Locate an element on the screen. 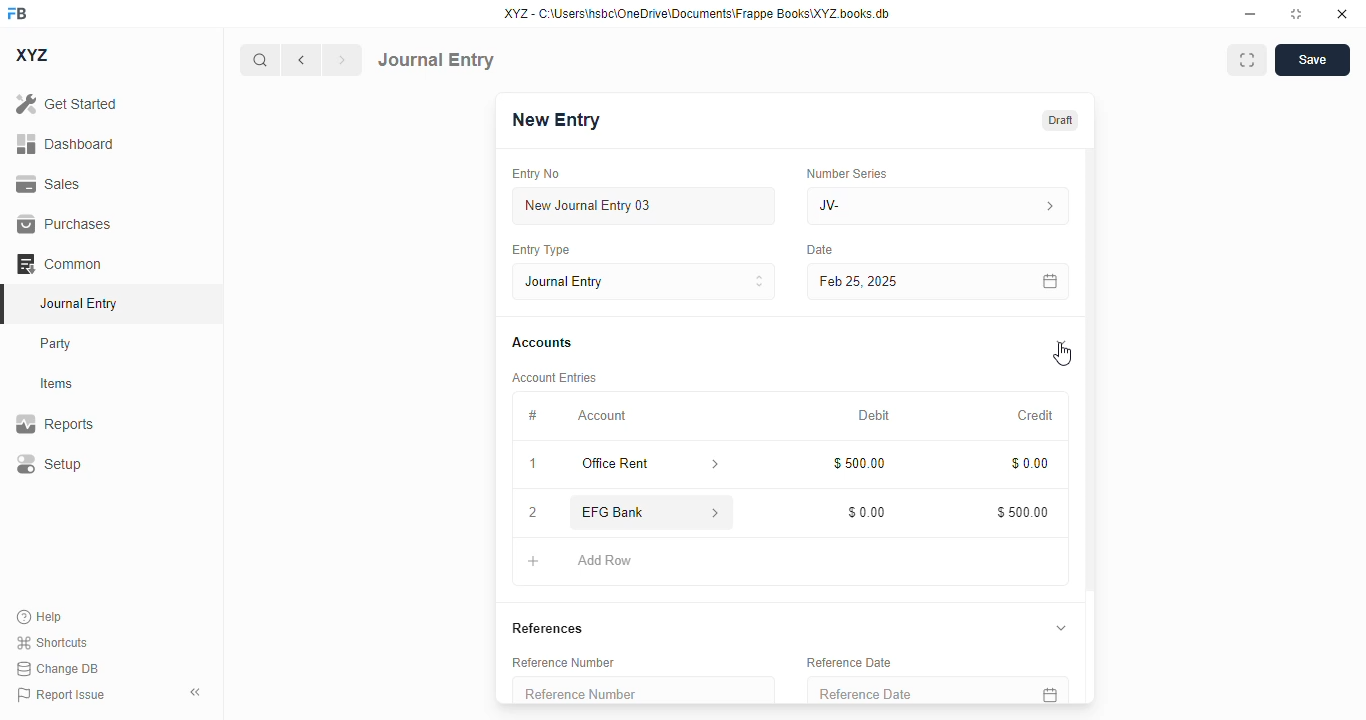 Image resolution: width=1366 pixels, height=720 pixels. reference number is located at coordinates (563, 662).